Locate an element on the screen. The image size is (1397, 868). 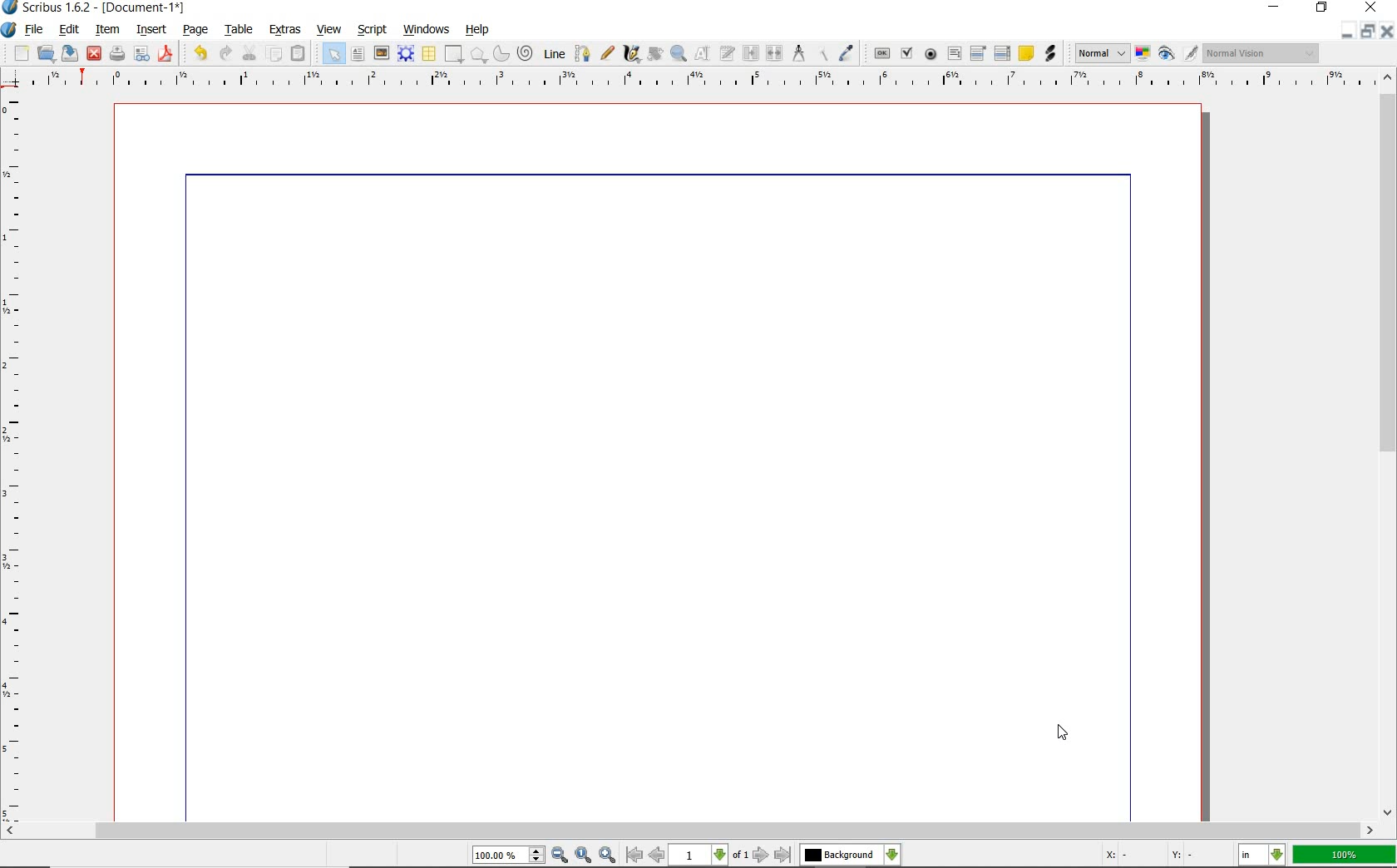
toggle color management is located at coordinates (1143, 53).